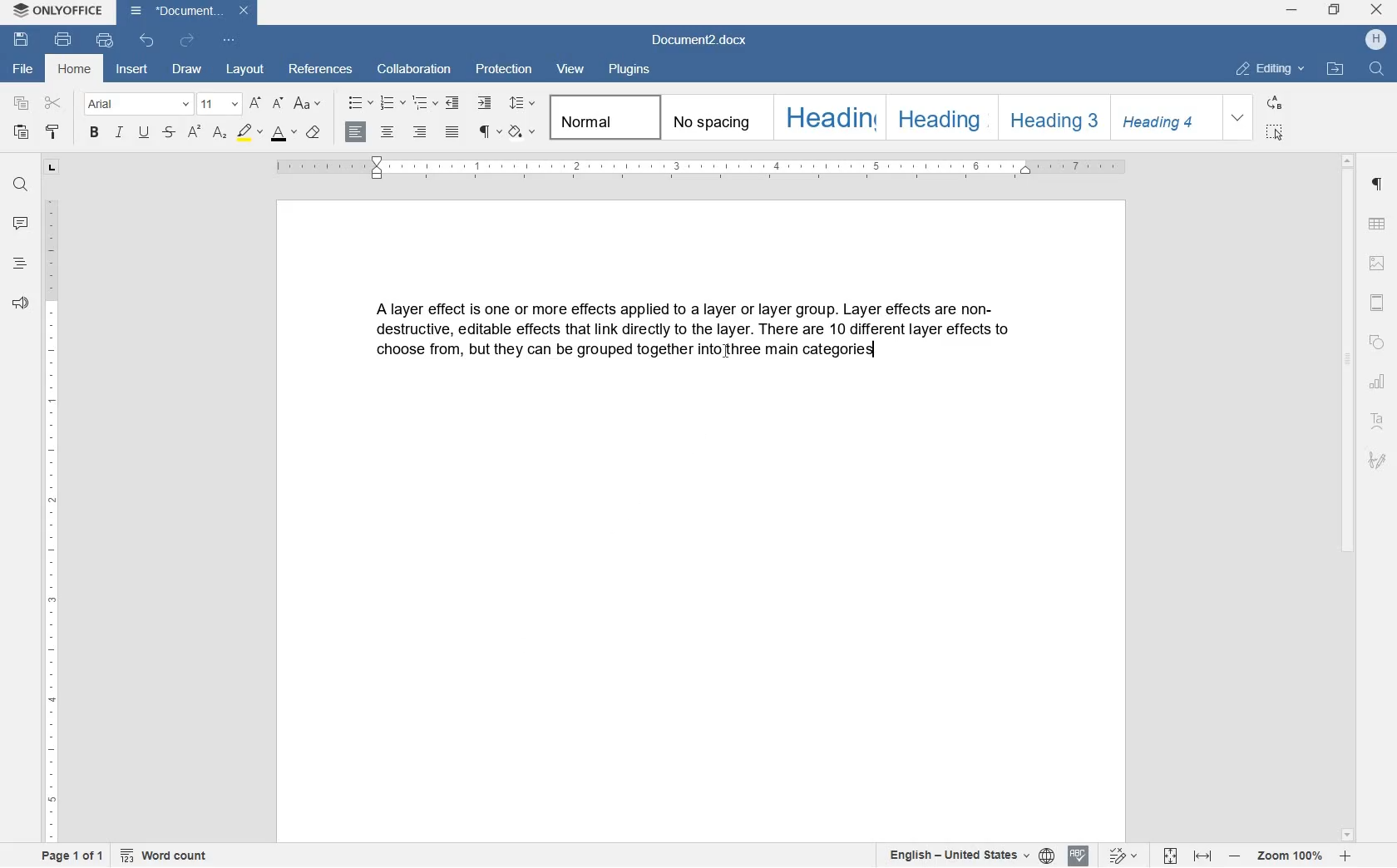  What do you see at coordinates (76, 71) in the screenshot?
I see `home` at bounding box center [76, 71].